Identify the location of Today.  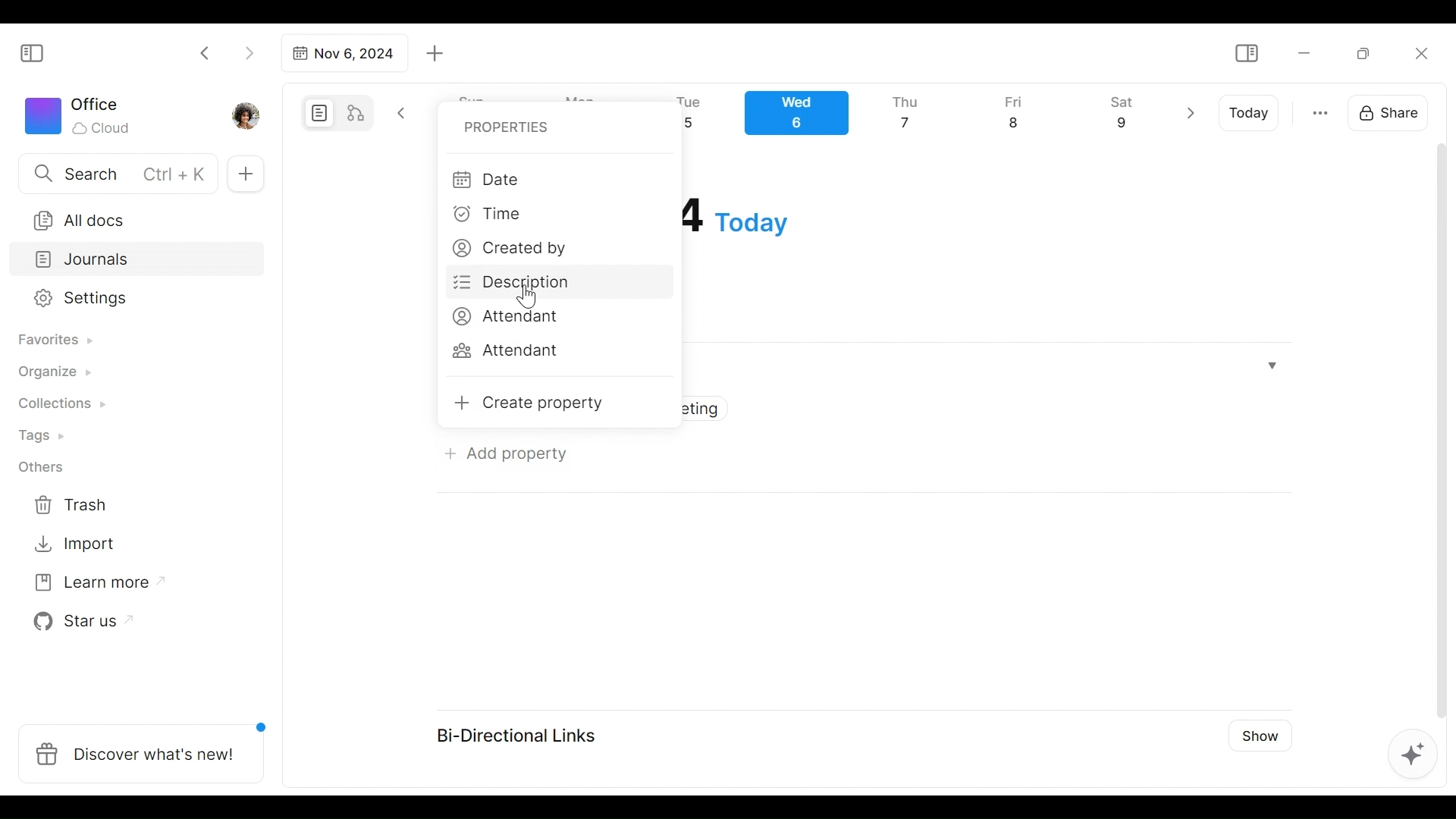
(1250, 113).